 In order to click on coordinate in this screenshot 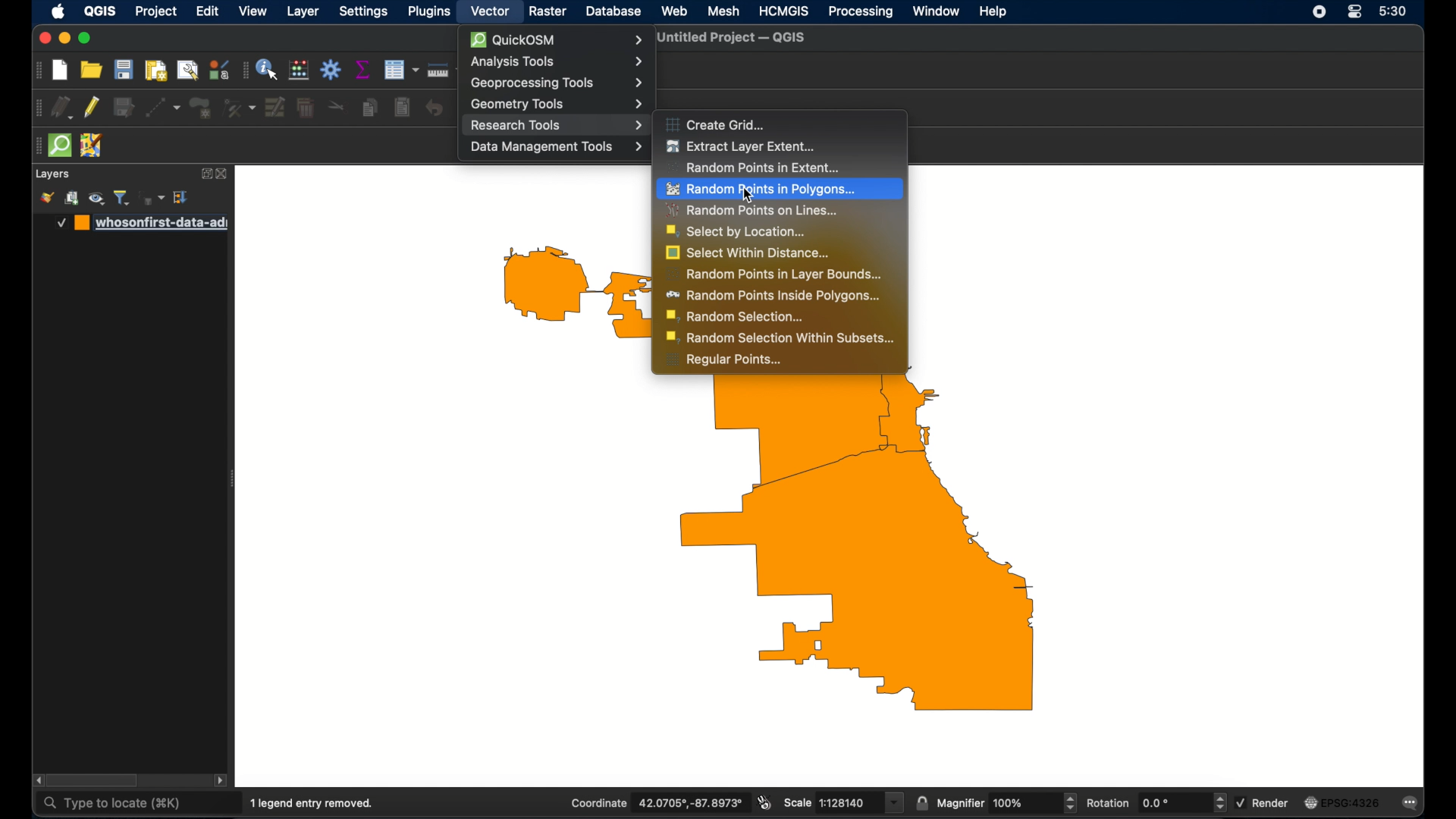, I will do `click(657, 802)`.